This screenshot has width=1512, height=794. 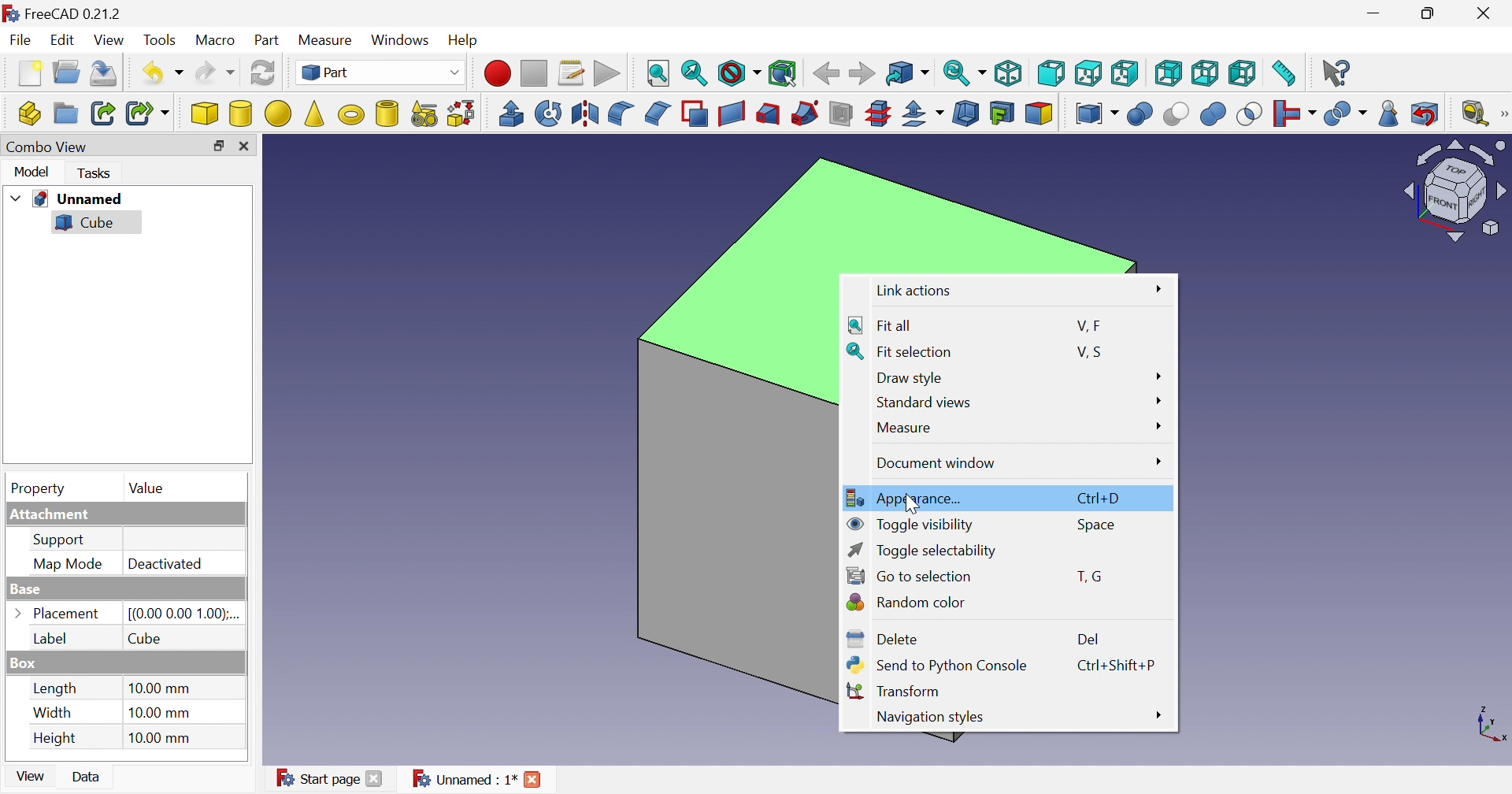 What do you see at coordinates (62, 38) in the screenshot?
I see `Edit` at bounding box center [62, 38].